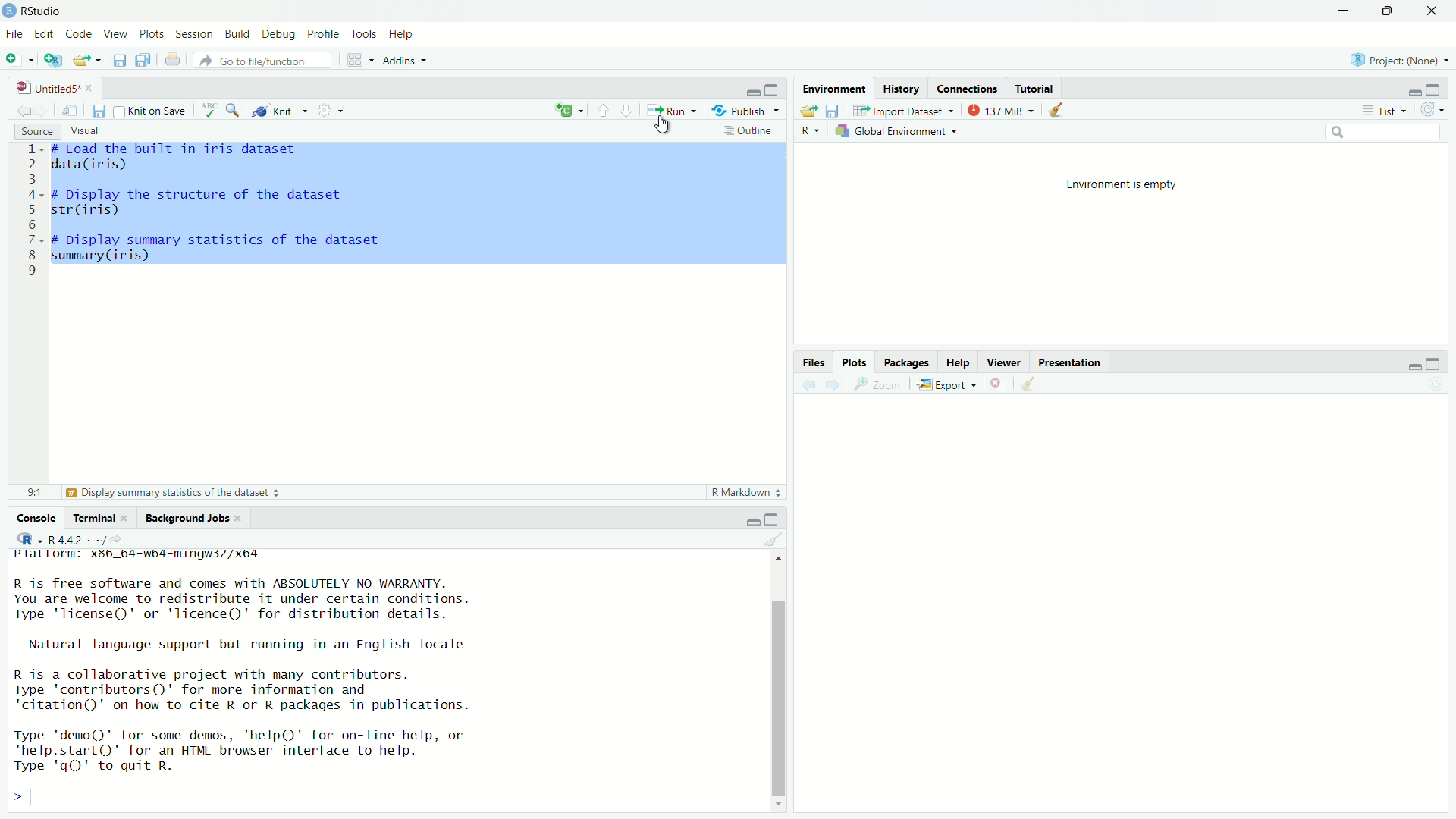 The width and height of the screenshot is (1456, 819). What do you see at coordinates (903, 109) in the screenshot?
I see `Import Dataset` at bounding box center [903, 109].